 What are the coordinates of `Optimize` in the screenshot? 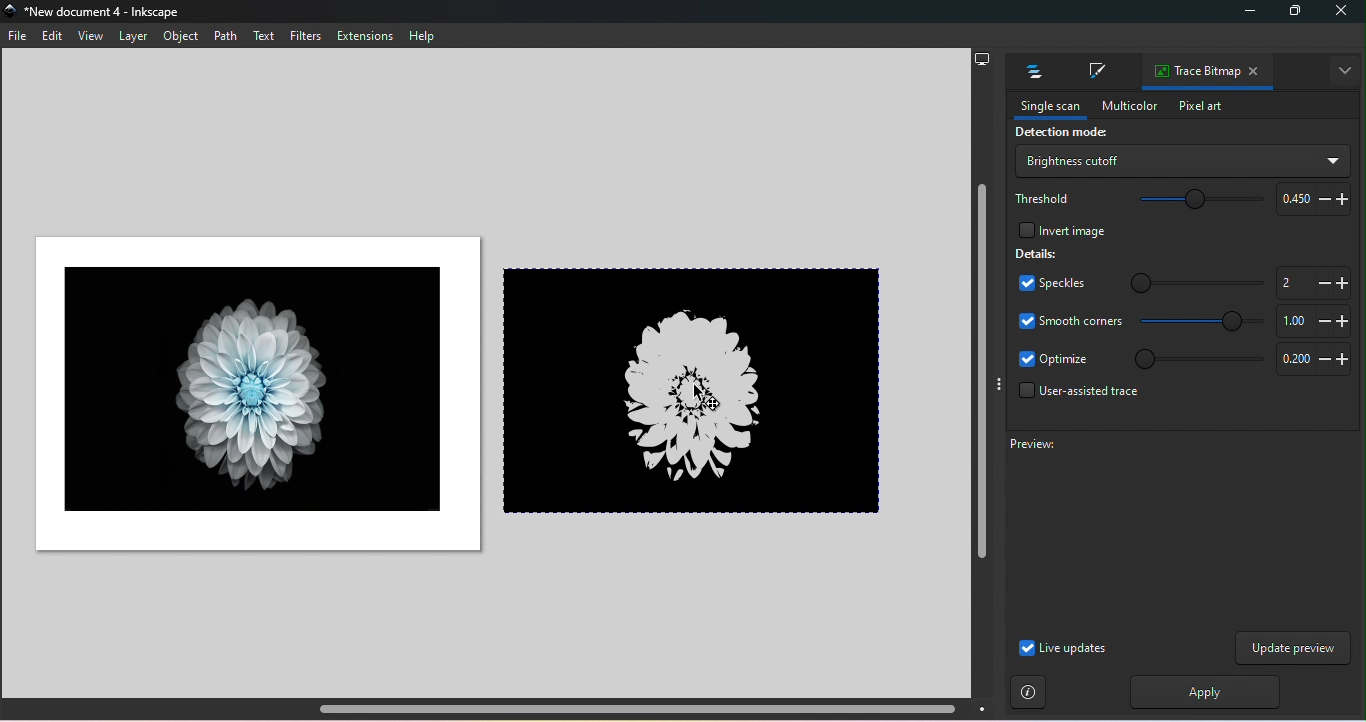 It's located at (1054, 360).